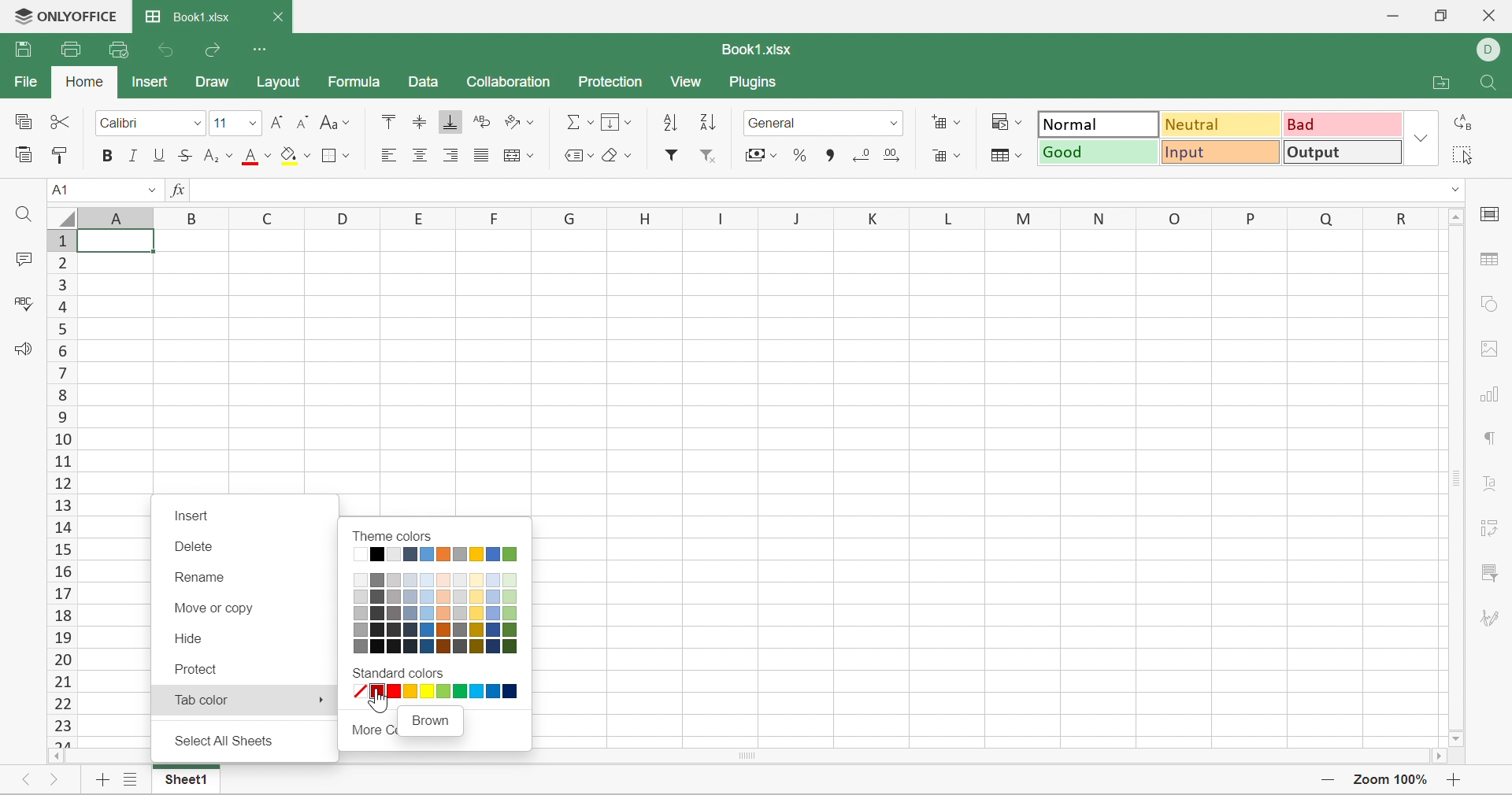 The height and width of the screenshot is (795, 1512). I want to click on Delete cell, so click(949, 157).